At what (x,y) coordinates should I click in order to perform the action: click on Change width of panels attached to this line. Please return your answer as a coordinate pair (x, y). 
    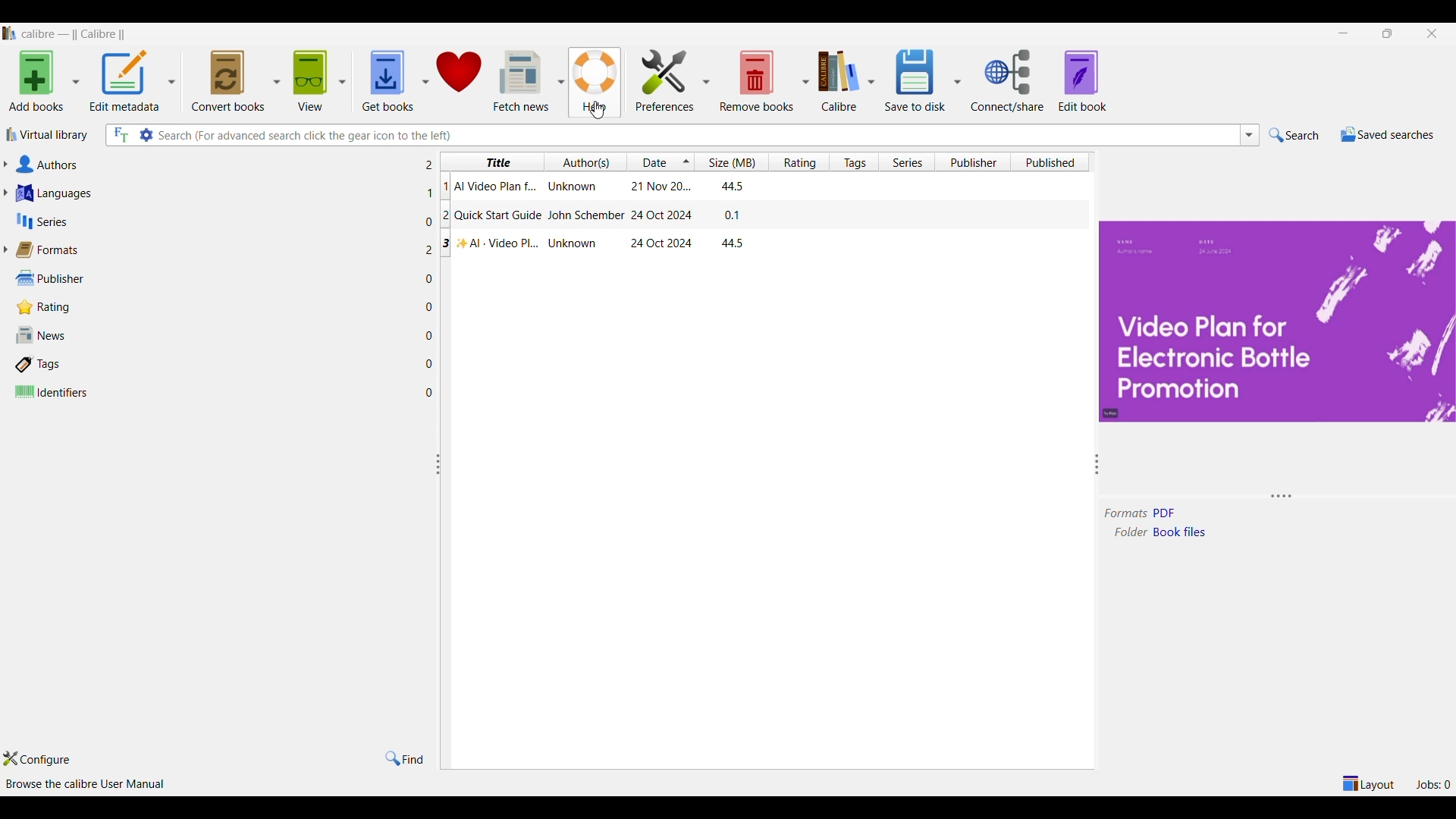
    Looking at the image, I should click on (437, 468).